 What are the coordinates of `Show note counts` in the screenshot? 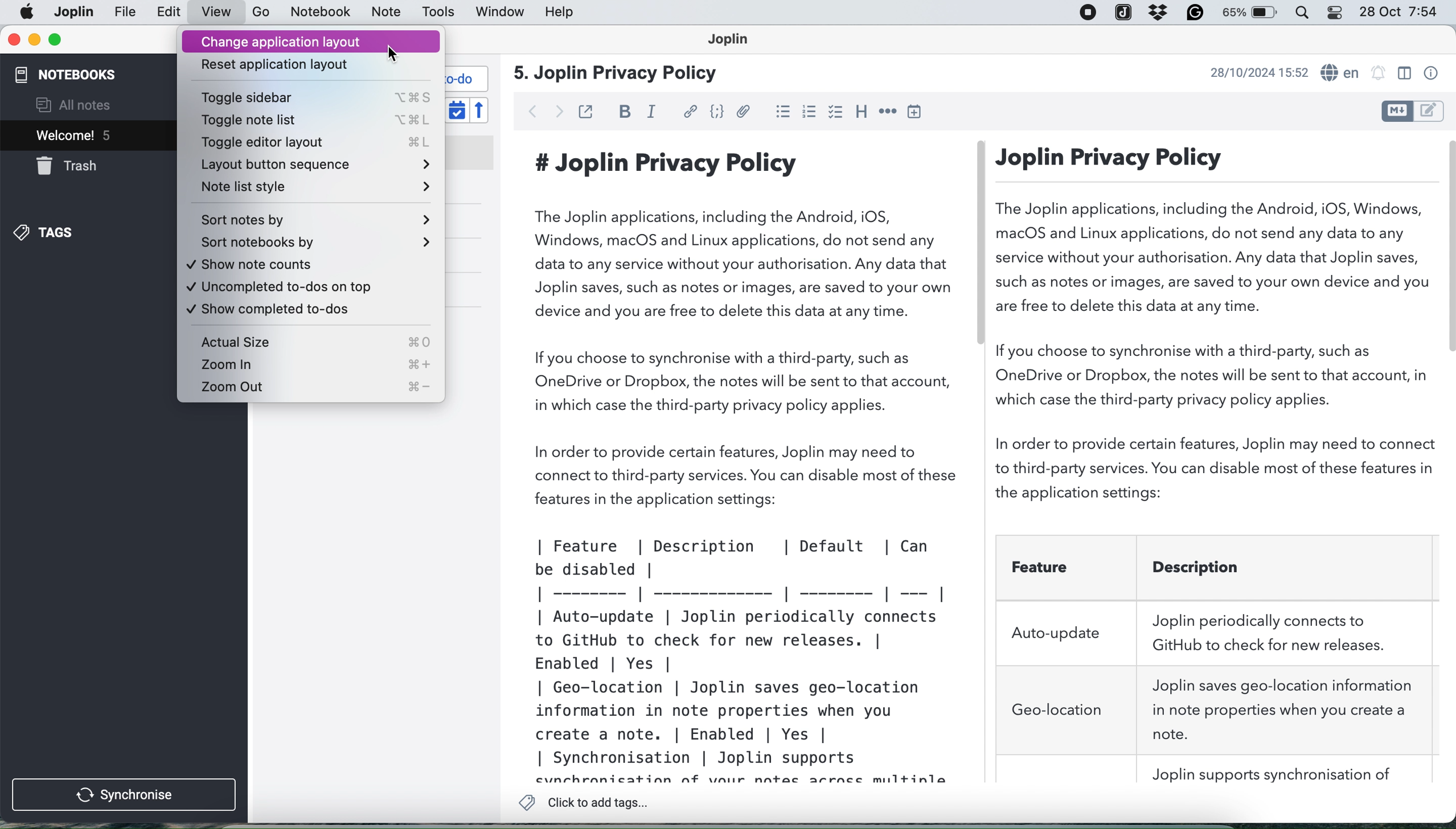 It's located at (313, 267).